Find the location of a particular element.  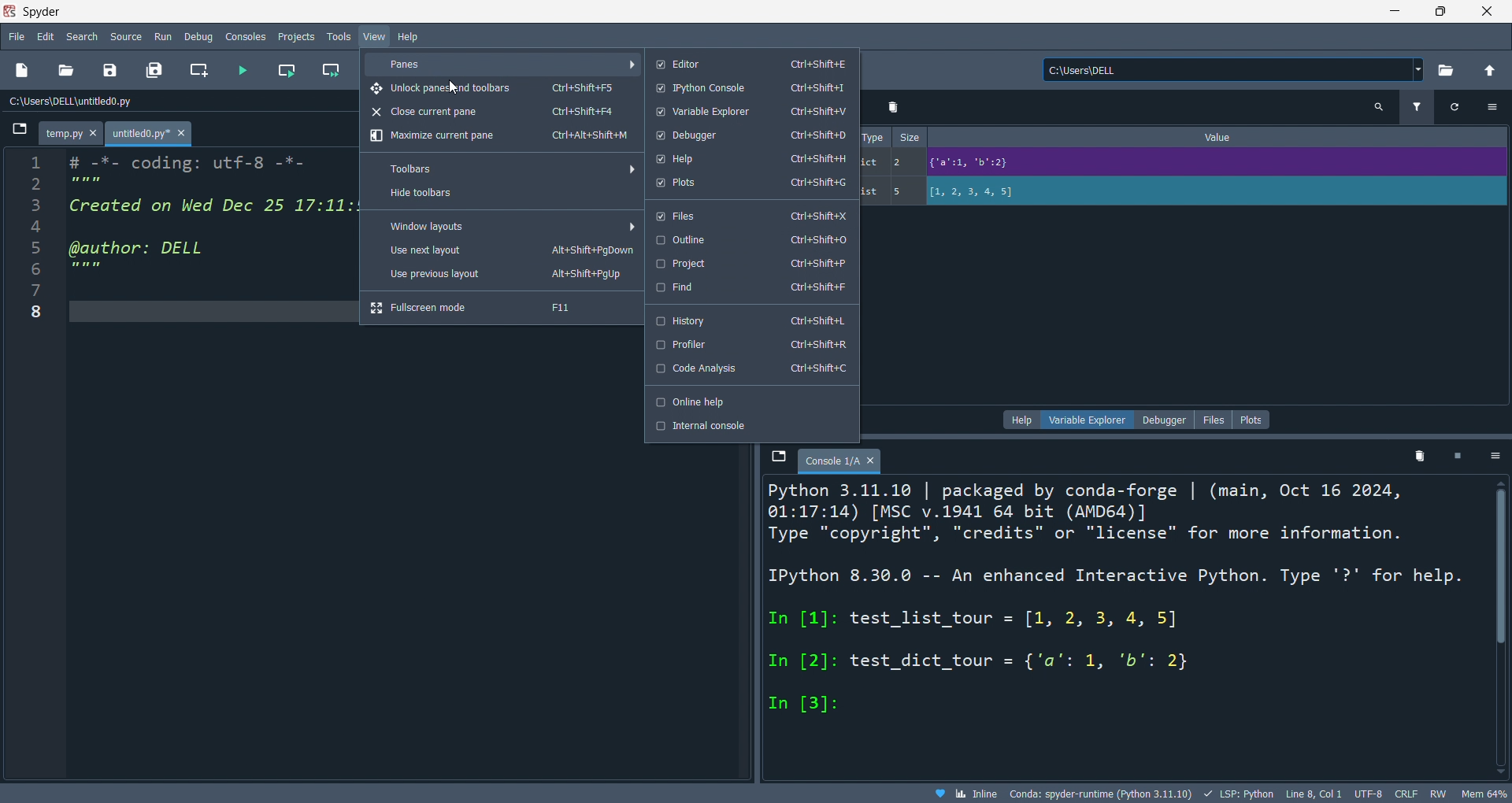

open directory is located at coordinates (1445, 71).